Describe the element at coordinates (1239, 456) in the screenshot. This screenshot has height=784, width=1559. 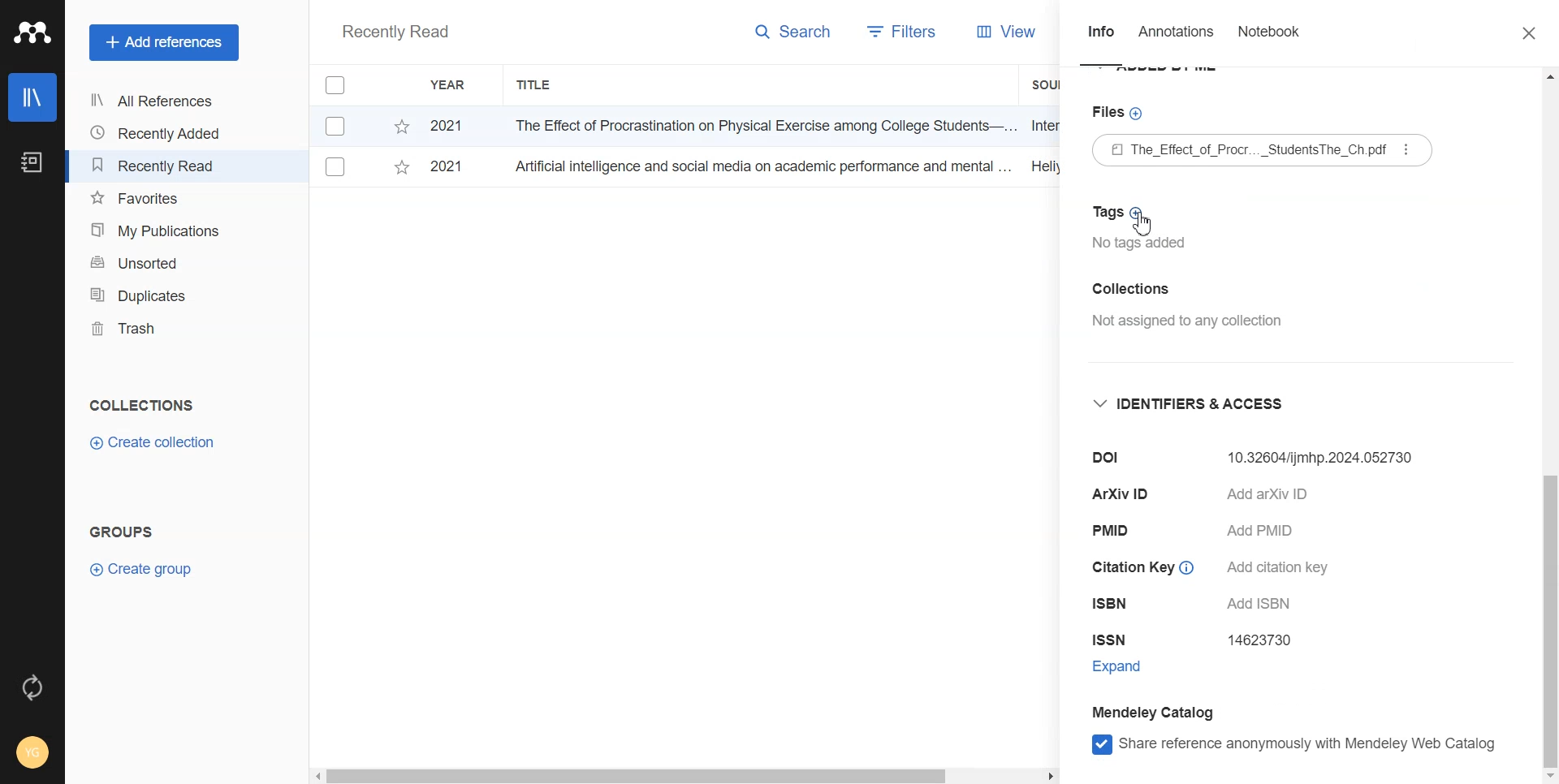
I see `Dol 10.32604/ijmhp.2024.052730` at that location.